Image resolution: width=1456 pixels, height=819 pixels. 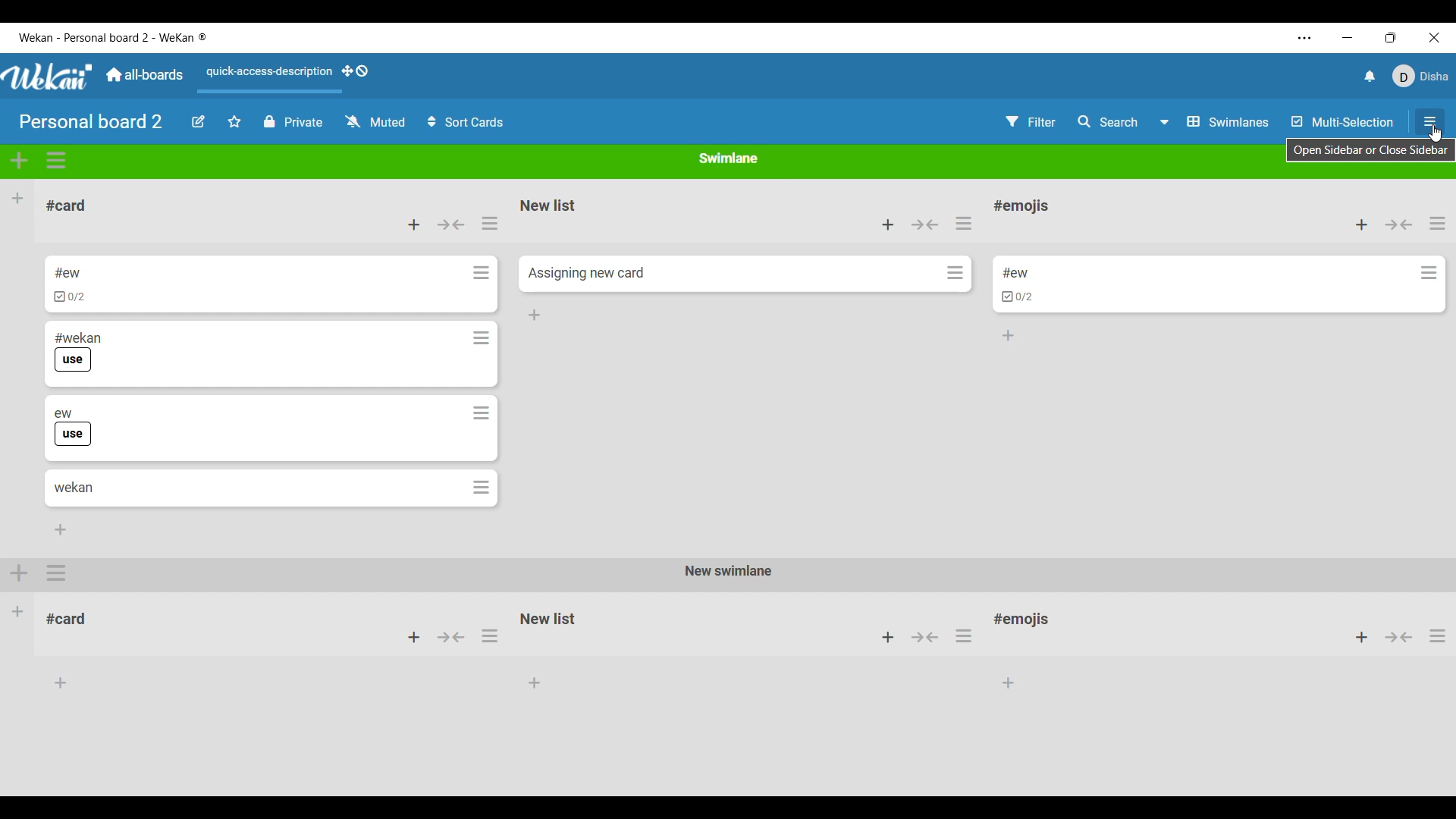 What do you see at coordinates (1214, 122) in the screenshot?
I see `Boardview options` at bounding box center [1214, 122].